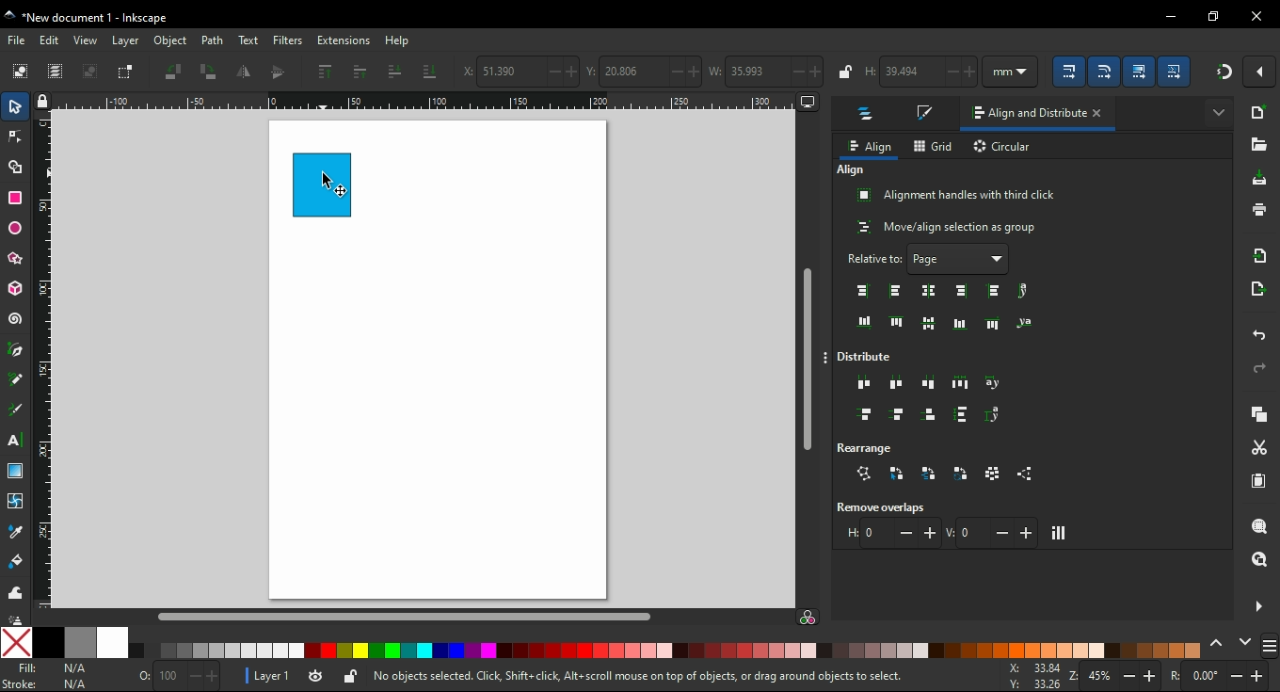 This screenshot has height=692, width=1280. I want to click on layer, so click(126, 41).